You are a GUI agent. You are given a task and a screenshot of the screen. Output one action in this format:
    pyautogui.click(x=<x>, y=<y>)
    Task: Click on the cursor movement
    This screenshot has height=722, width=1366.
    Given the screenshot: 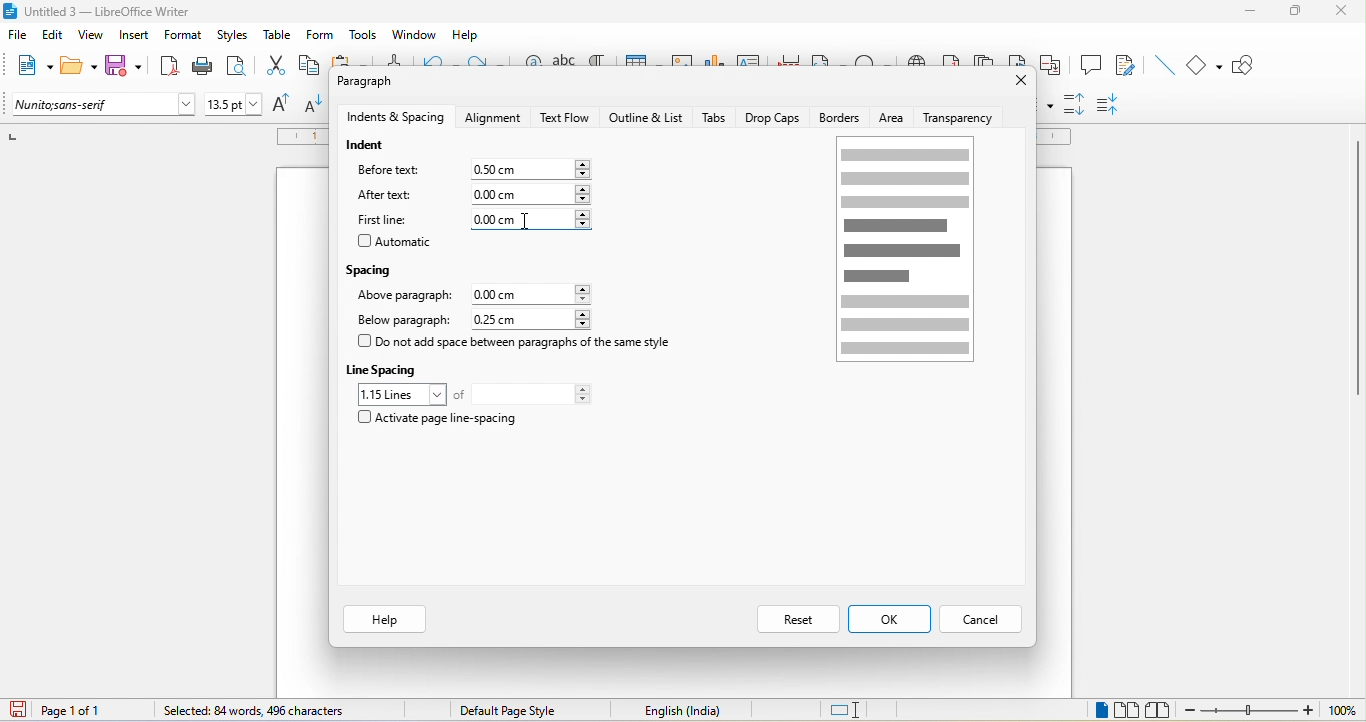 What is the action you would take?
    pyautogui.click(x=526, y=223)
    